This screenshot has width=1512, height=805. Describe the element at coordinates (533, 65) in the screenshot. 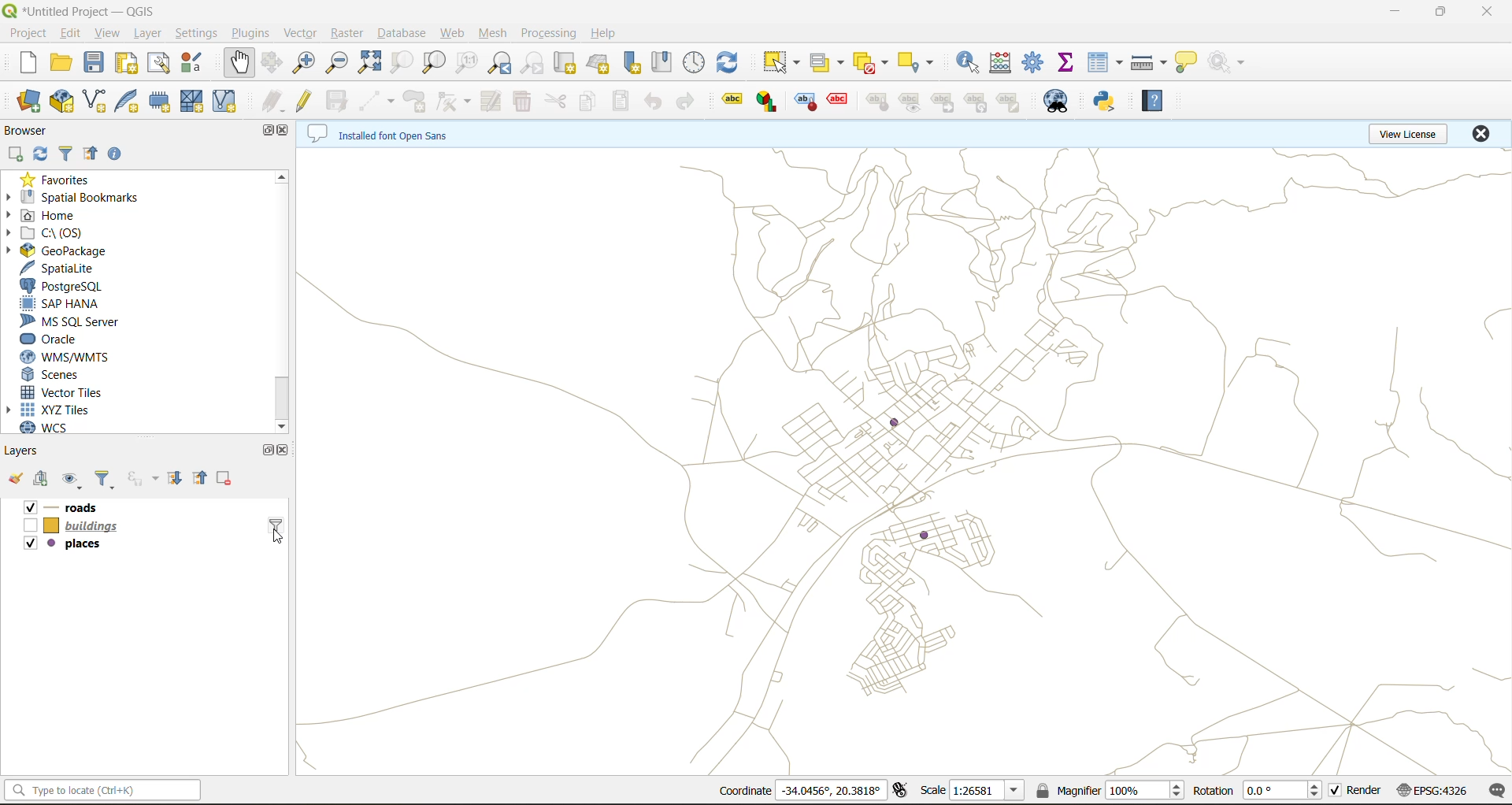

I see `zoom next` at that location.